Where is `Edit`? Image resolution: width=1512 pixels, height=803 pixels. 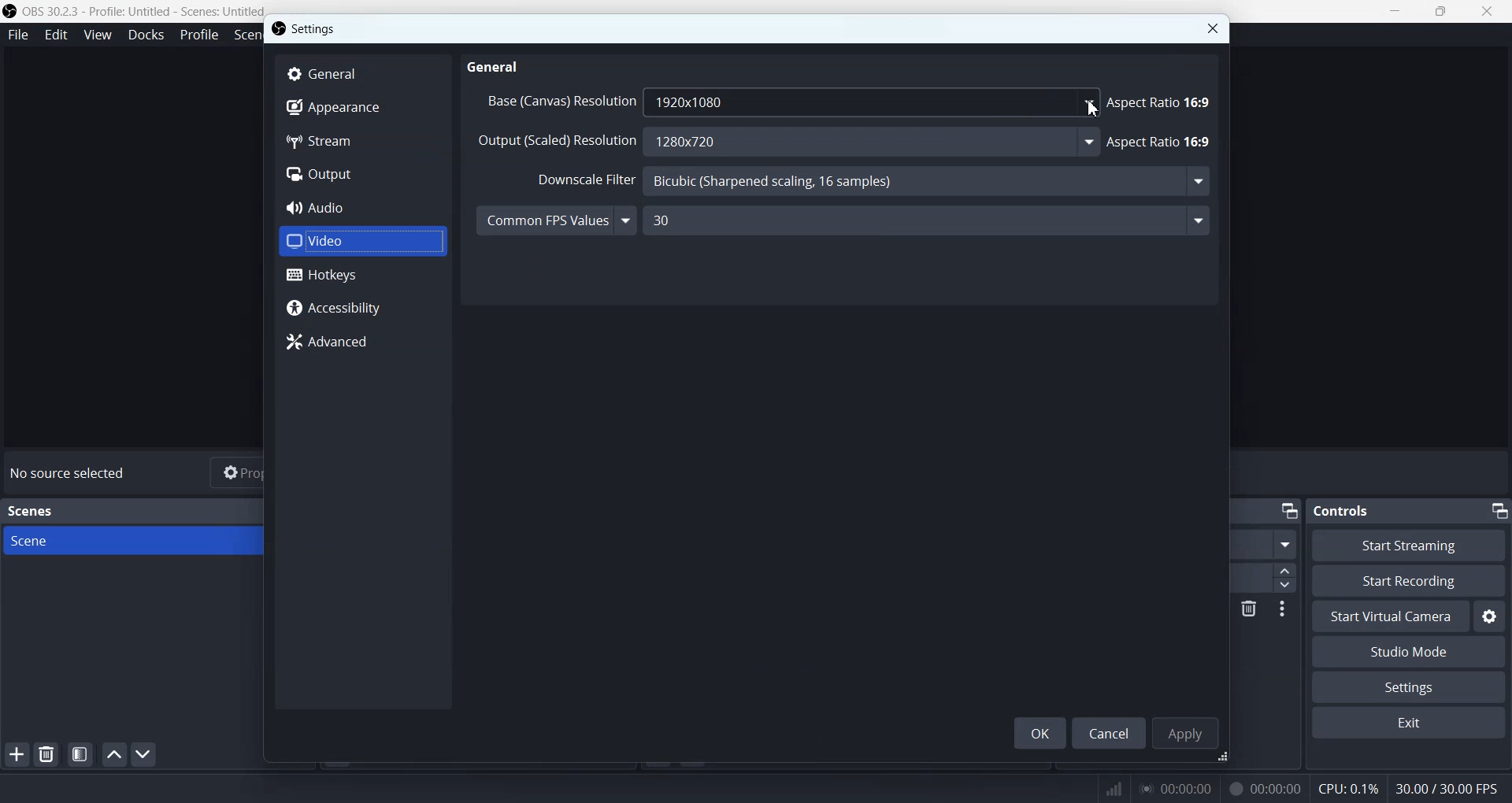
Edit is located at coordinates (57, 36).